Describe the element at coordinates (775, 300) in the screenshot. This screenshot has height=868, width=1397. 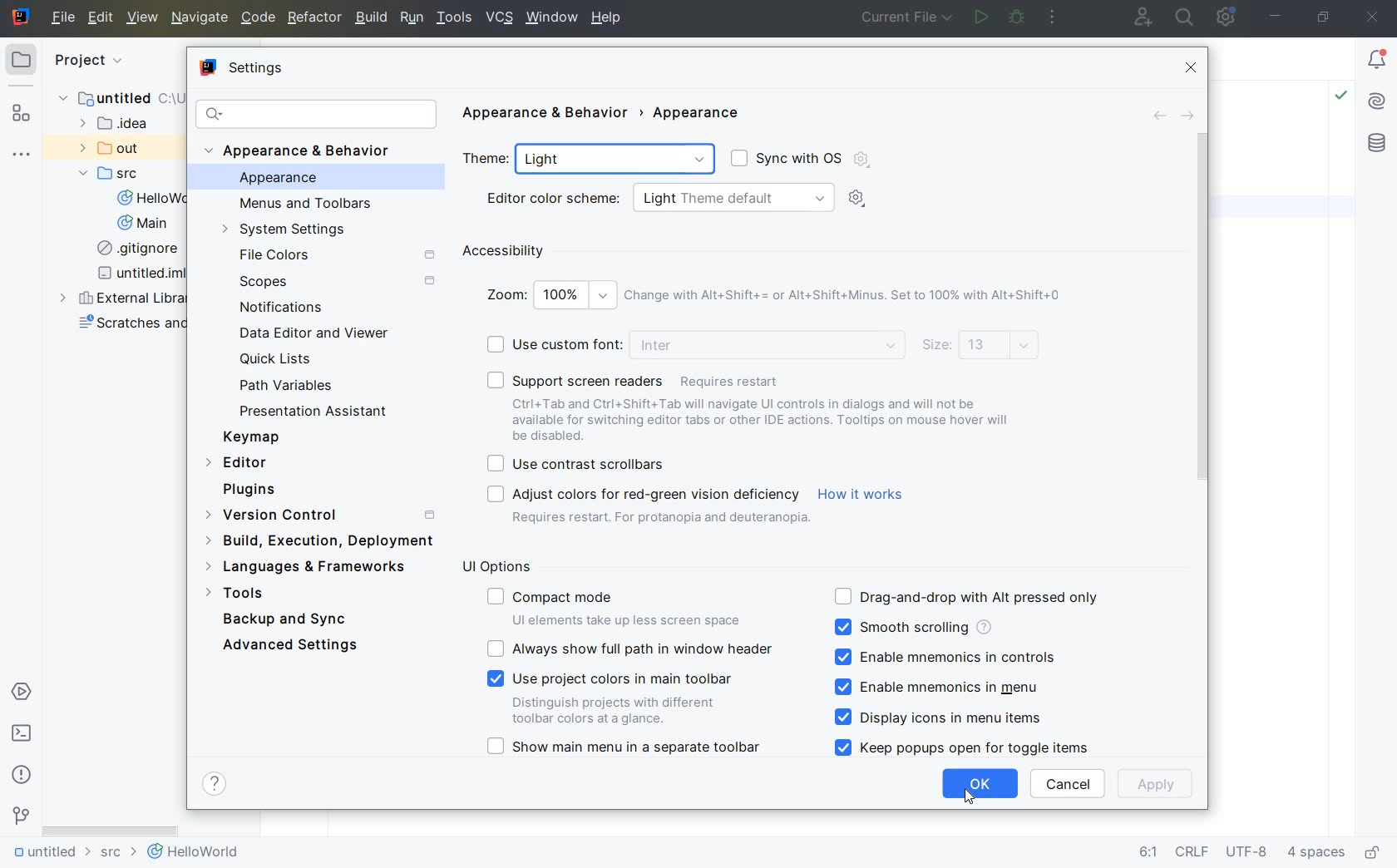
I see `Zoom:100% (zoom in or zoom out)` at that location.